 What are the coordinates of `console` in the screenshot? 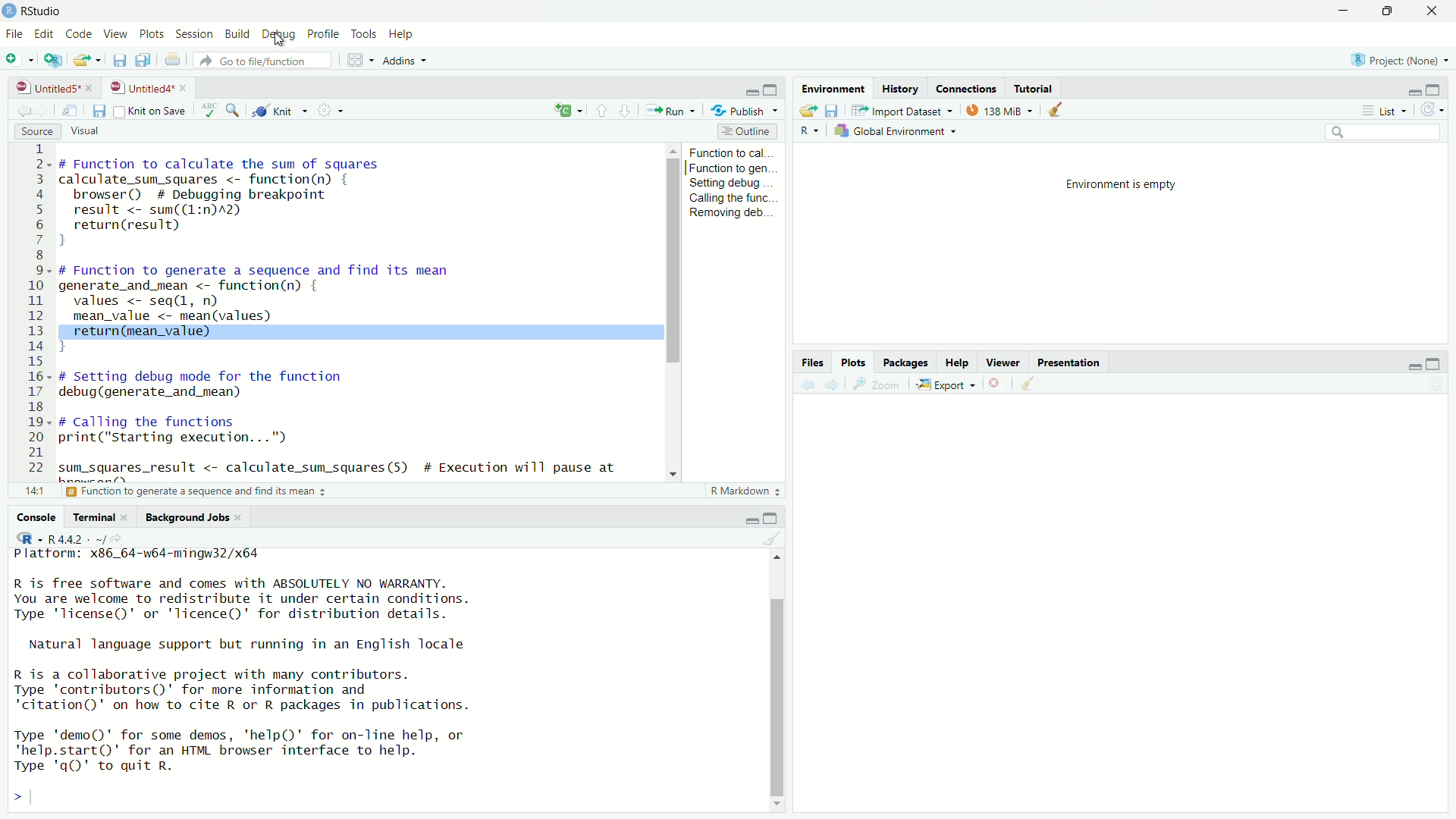 It's located at (32, 517).